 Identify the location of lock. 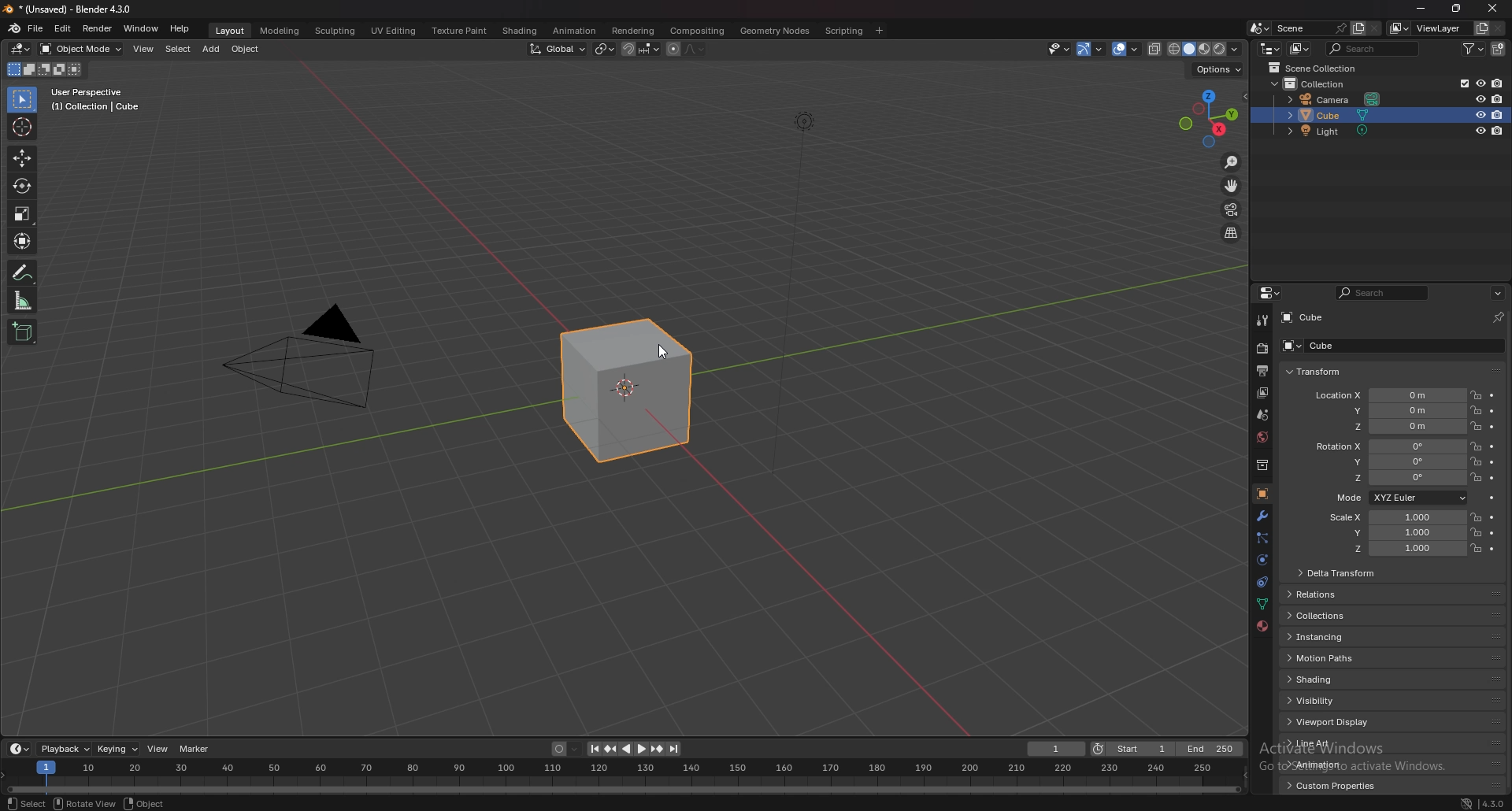
(1476, 531).